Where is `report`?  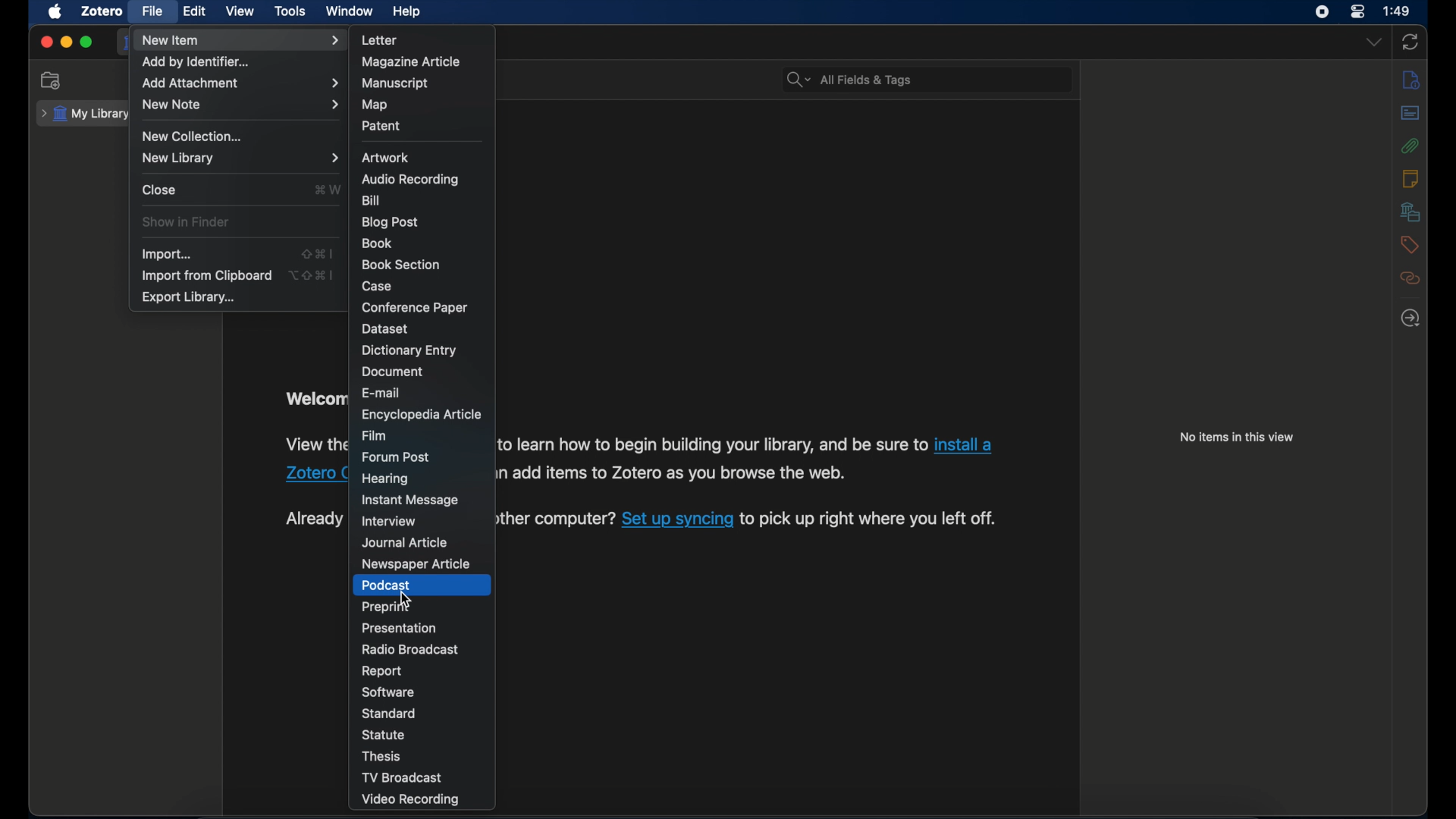 report is located at coordinates (381, 671).